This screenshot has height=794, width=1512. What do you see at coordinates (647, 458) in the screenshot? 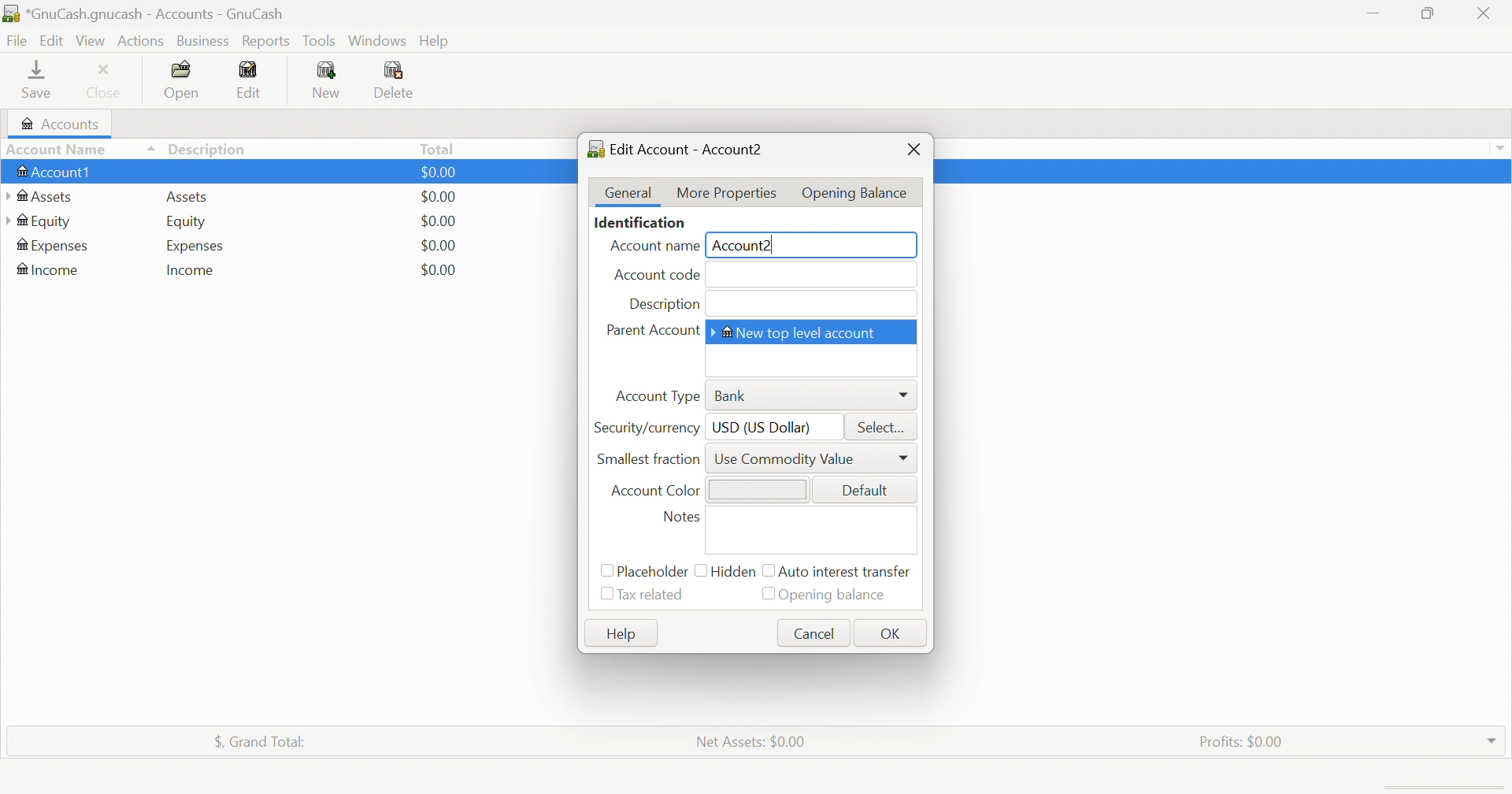
I see `Smallest Fraction` at bounding box center [647, 458].